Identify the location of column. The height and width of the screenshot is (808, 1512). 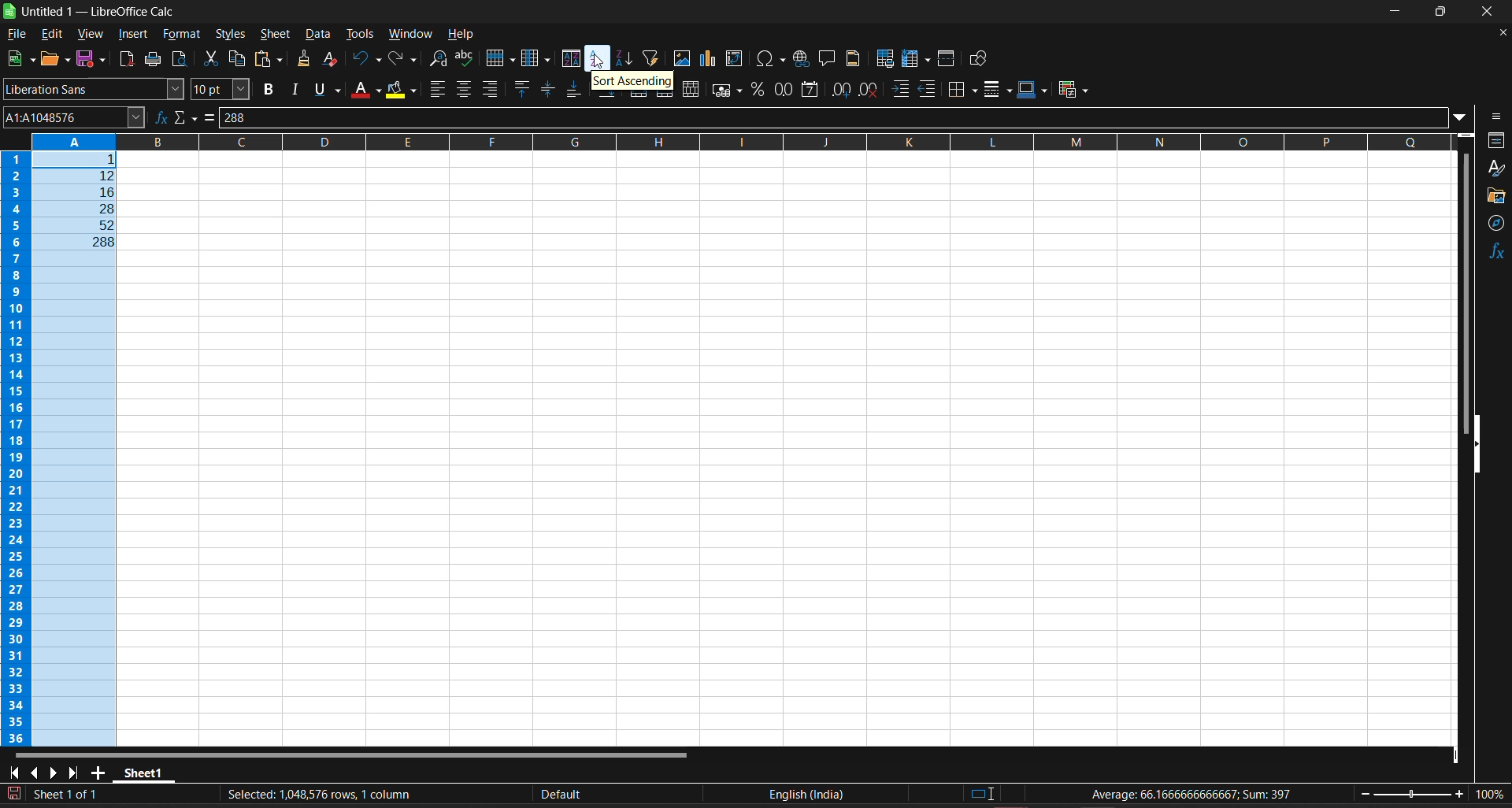
(535, 57).